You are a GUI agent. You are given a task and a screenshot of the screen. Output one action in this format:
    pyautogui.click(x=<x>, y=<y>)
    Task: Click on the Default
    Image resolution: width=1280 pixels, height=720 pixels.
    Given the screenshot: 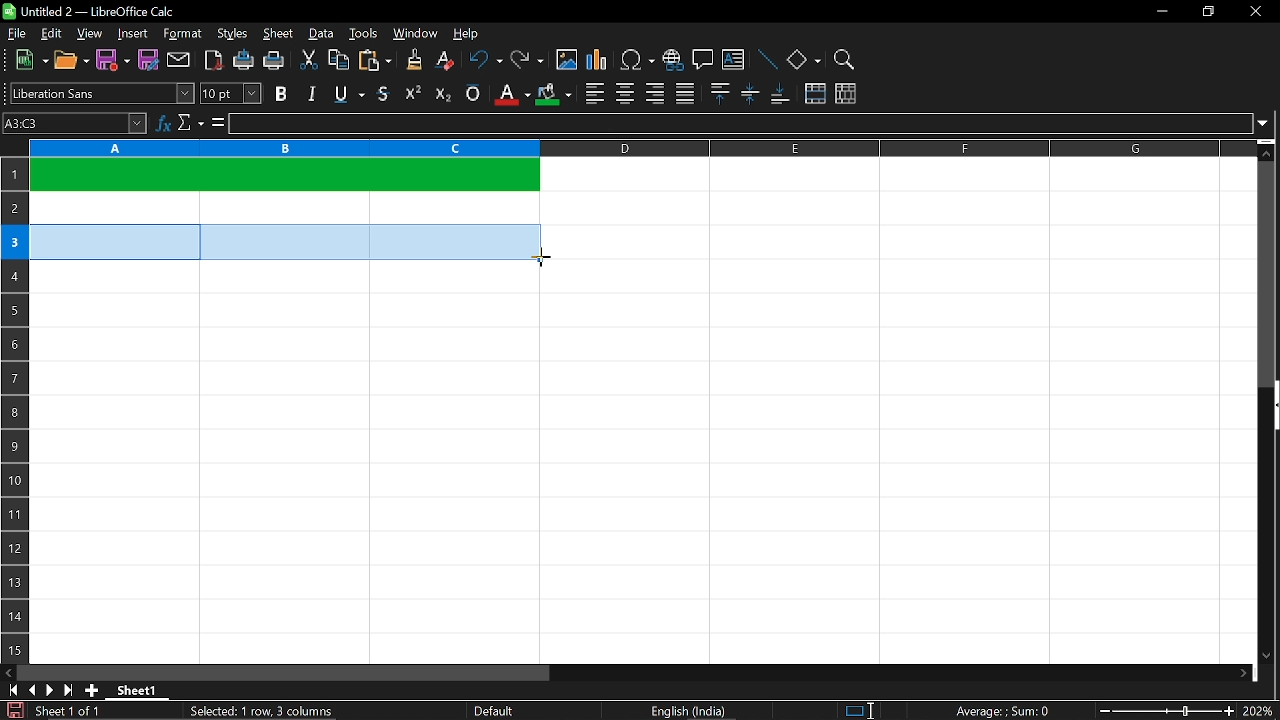 What is the action you would take?
    pyautogui.click(x=497, y=711)
    